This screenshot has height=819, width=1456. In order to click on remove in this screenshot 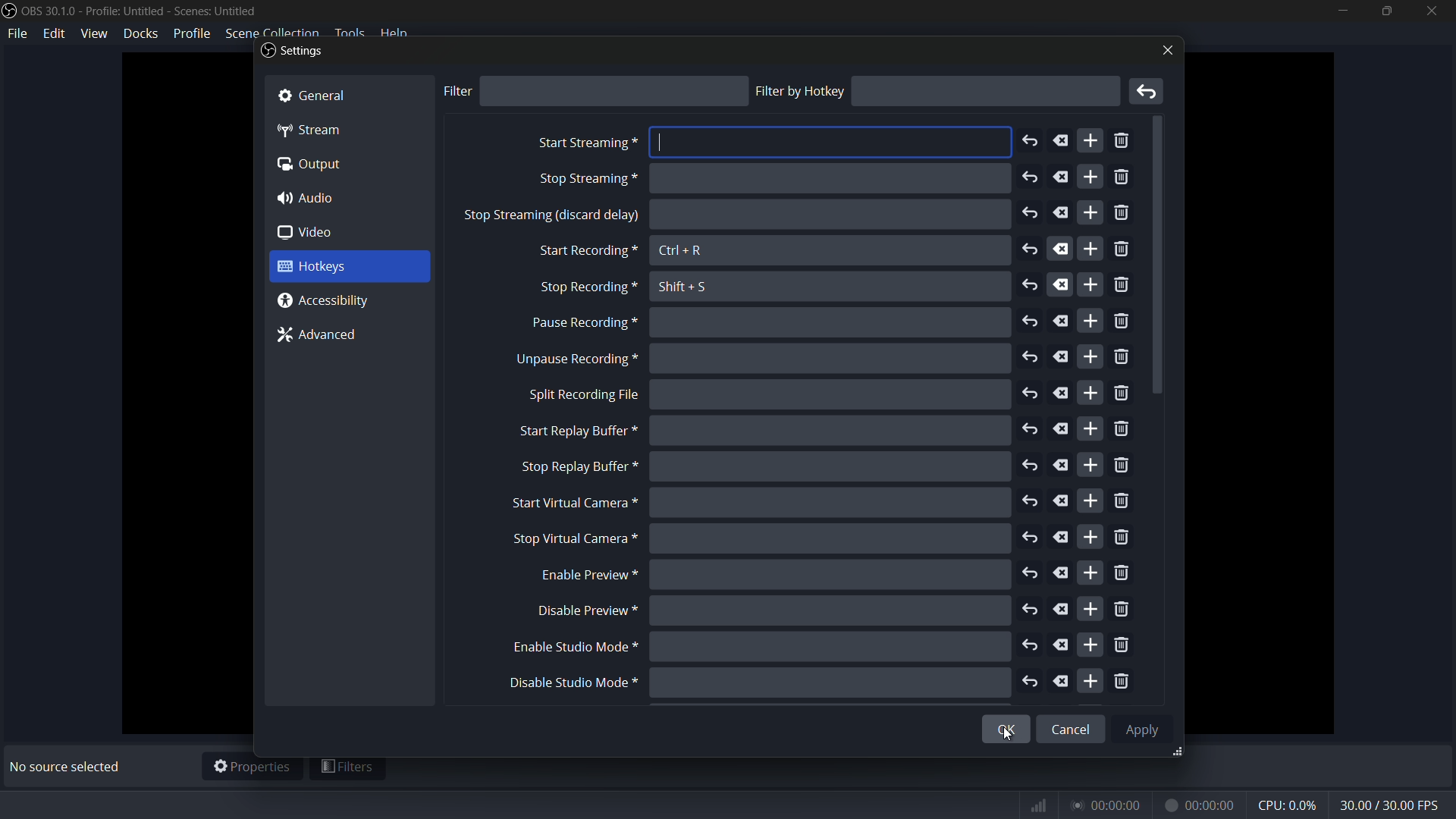, I will do `click(1123, 610)`.